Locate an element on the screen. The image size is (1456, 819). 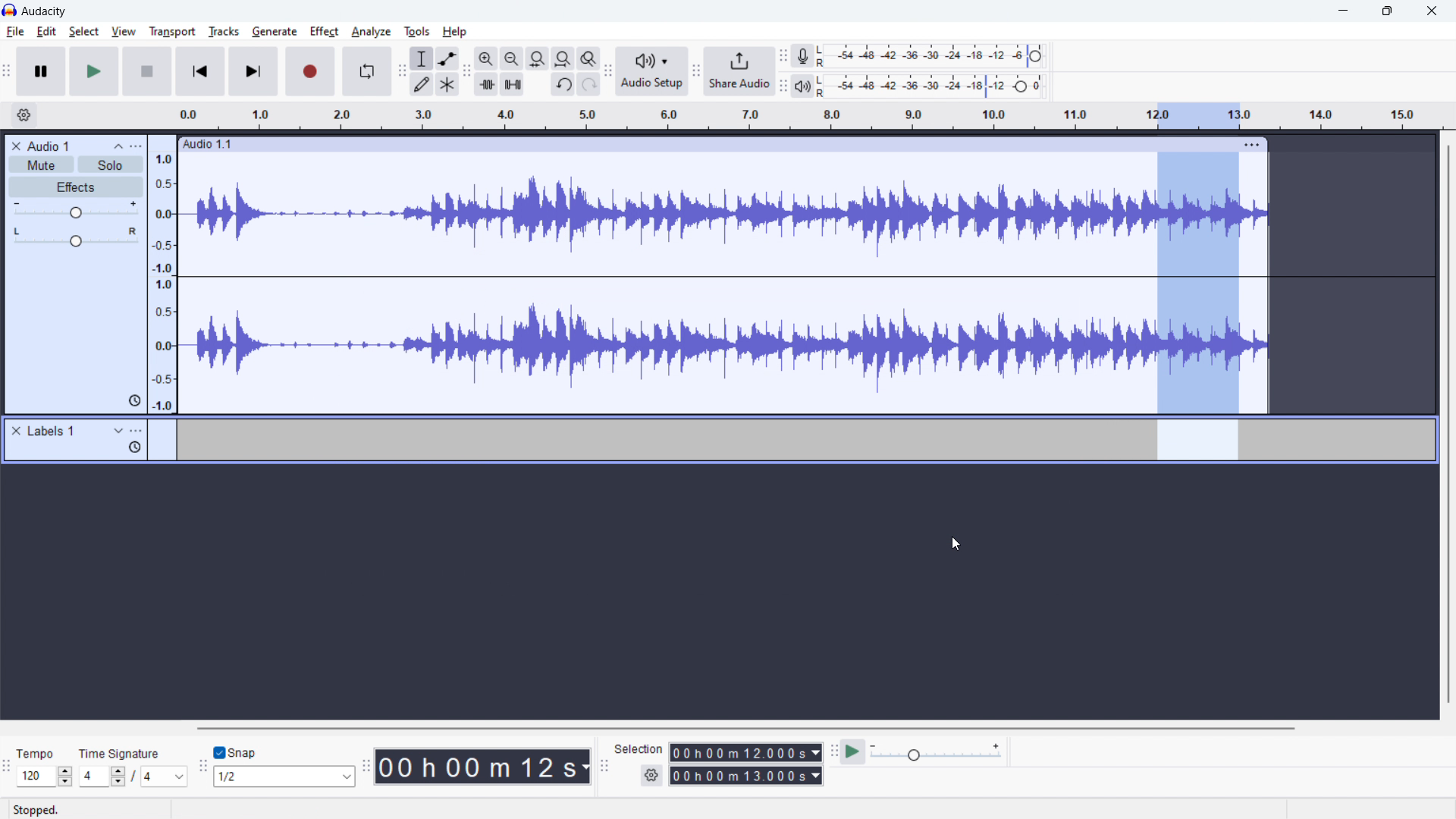
selection settings is located at coordinates (652, 776).